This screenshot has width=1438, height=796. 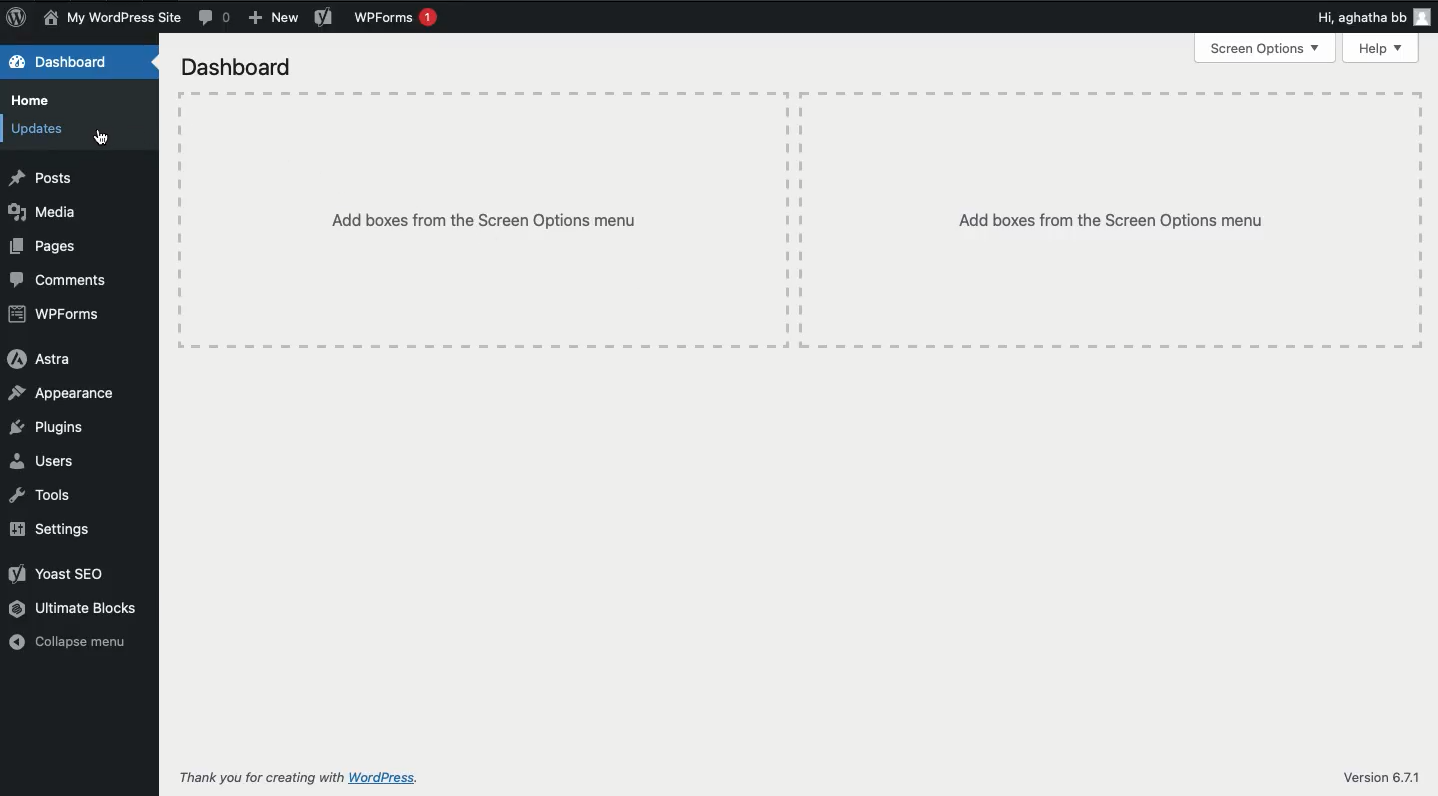 What do you see at coordinates (63, 61) in the screenshot?
I see `Dashboard` at bounding box center [63, 61].